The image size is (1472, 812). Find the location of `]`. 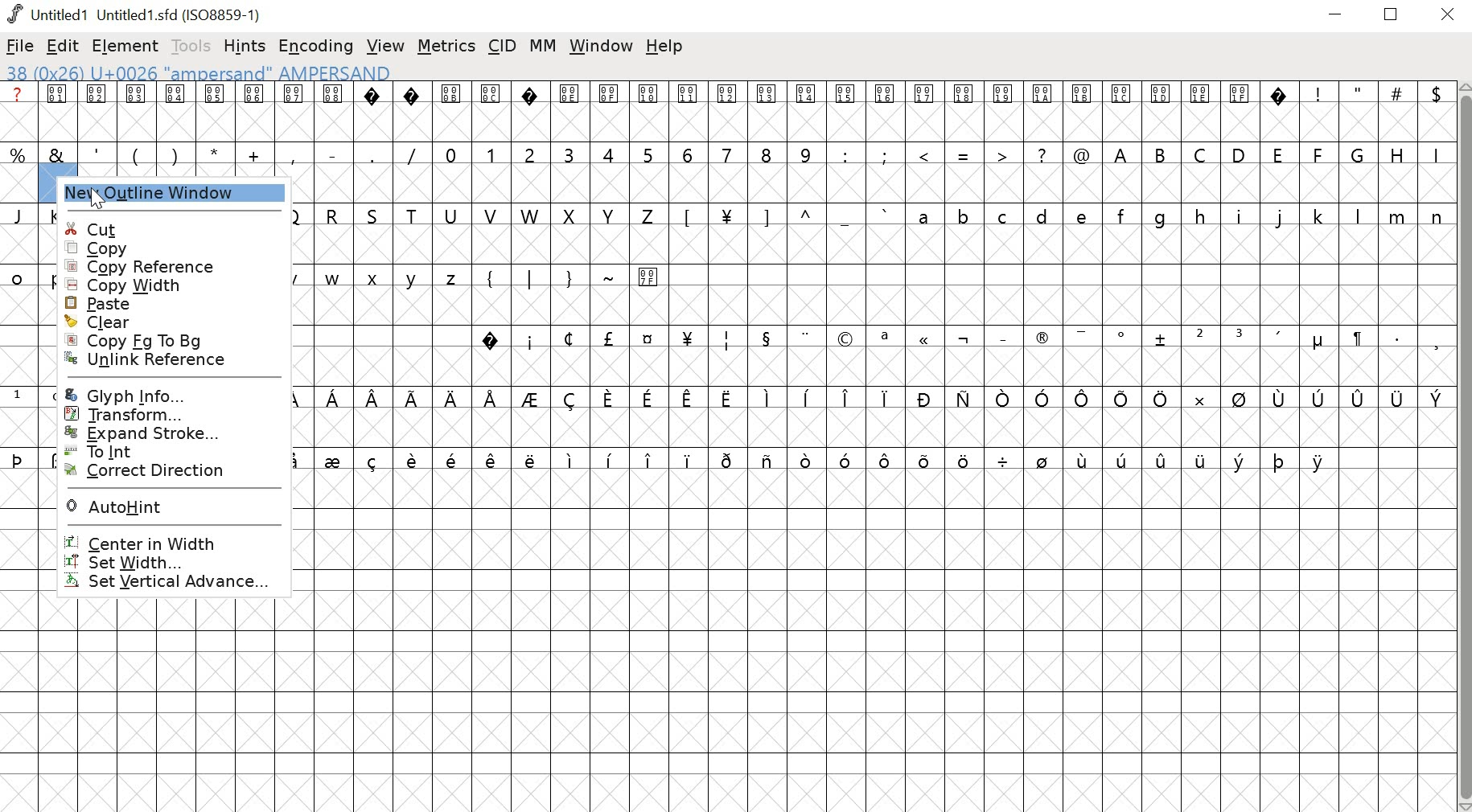

] is located at coordinates (767, 215).